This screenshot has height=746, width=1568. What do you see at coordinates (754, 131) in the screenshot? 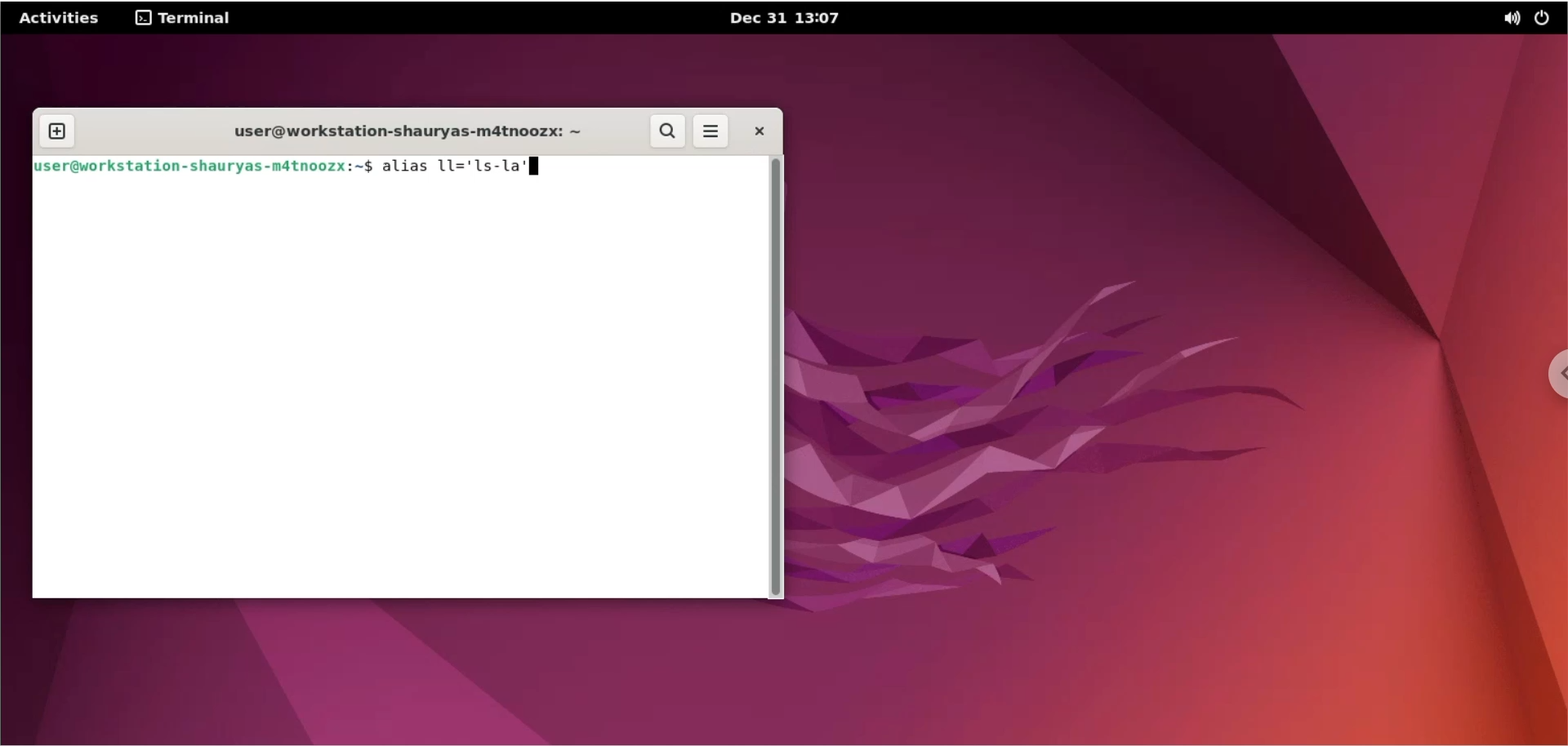
I see `close` at bounding box center [754, 131].